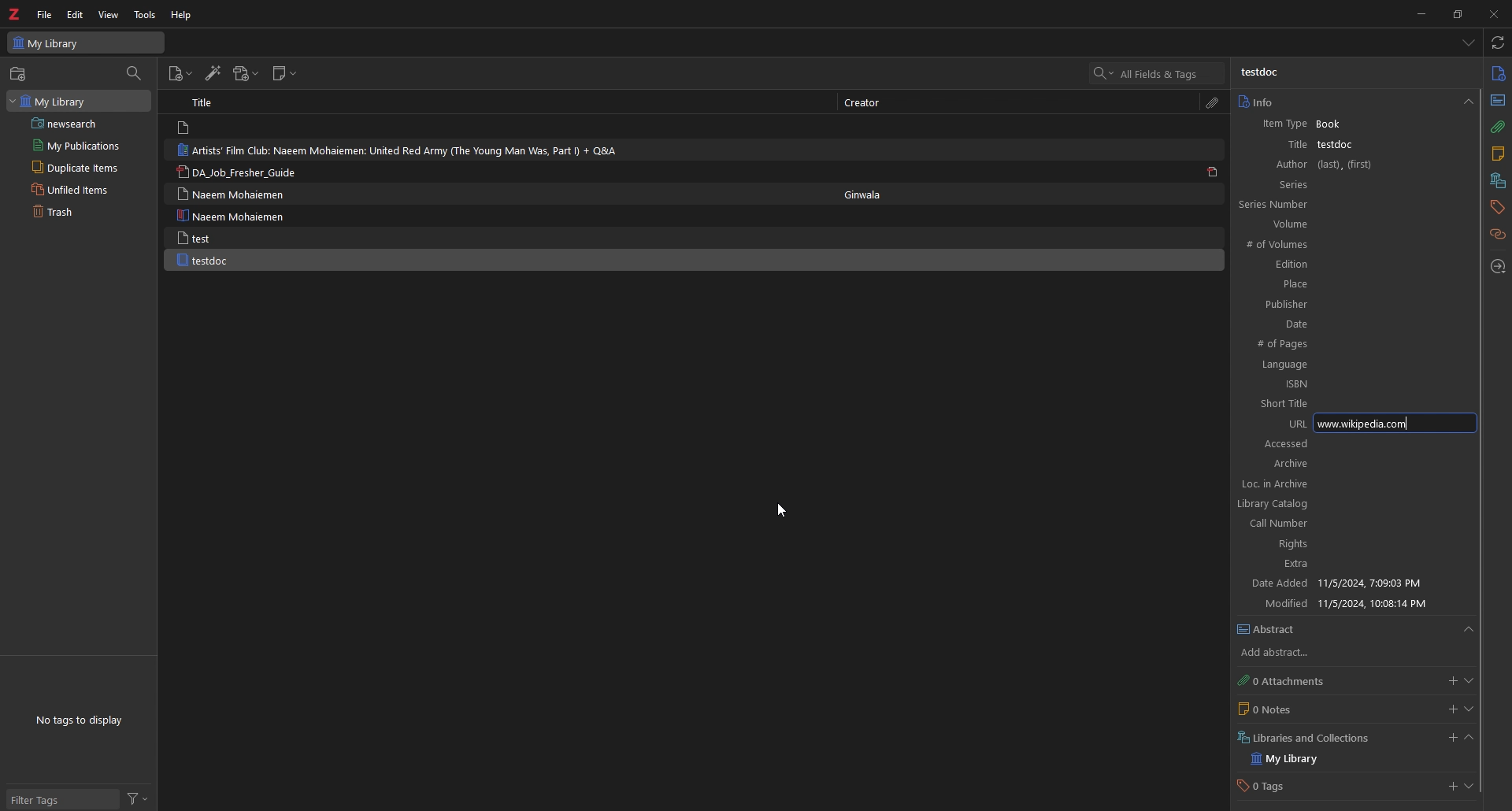  What do you see at coordinates (76, 14) in the screenshot?
I see `edit` at bounding box center [76, 14].